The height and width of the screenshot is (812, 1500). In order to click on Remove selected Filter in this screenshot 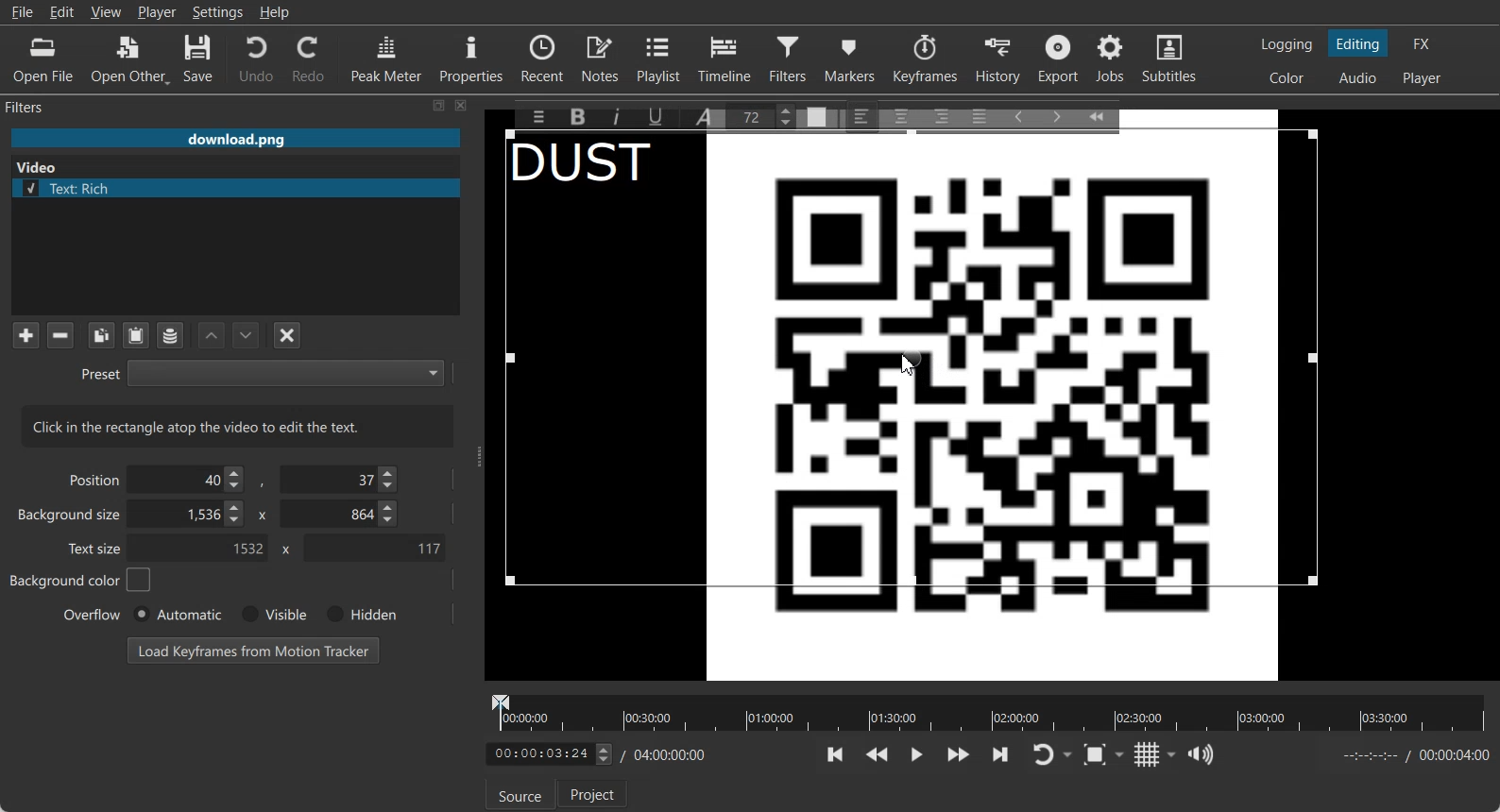, I will do `click(60, 334)`.